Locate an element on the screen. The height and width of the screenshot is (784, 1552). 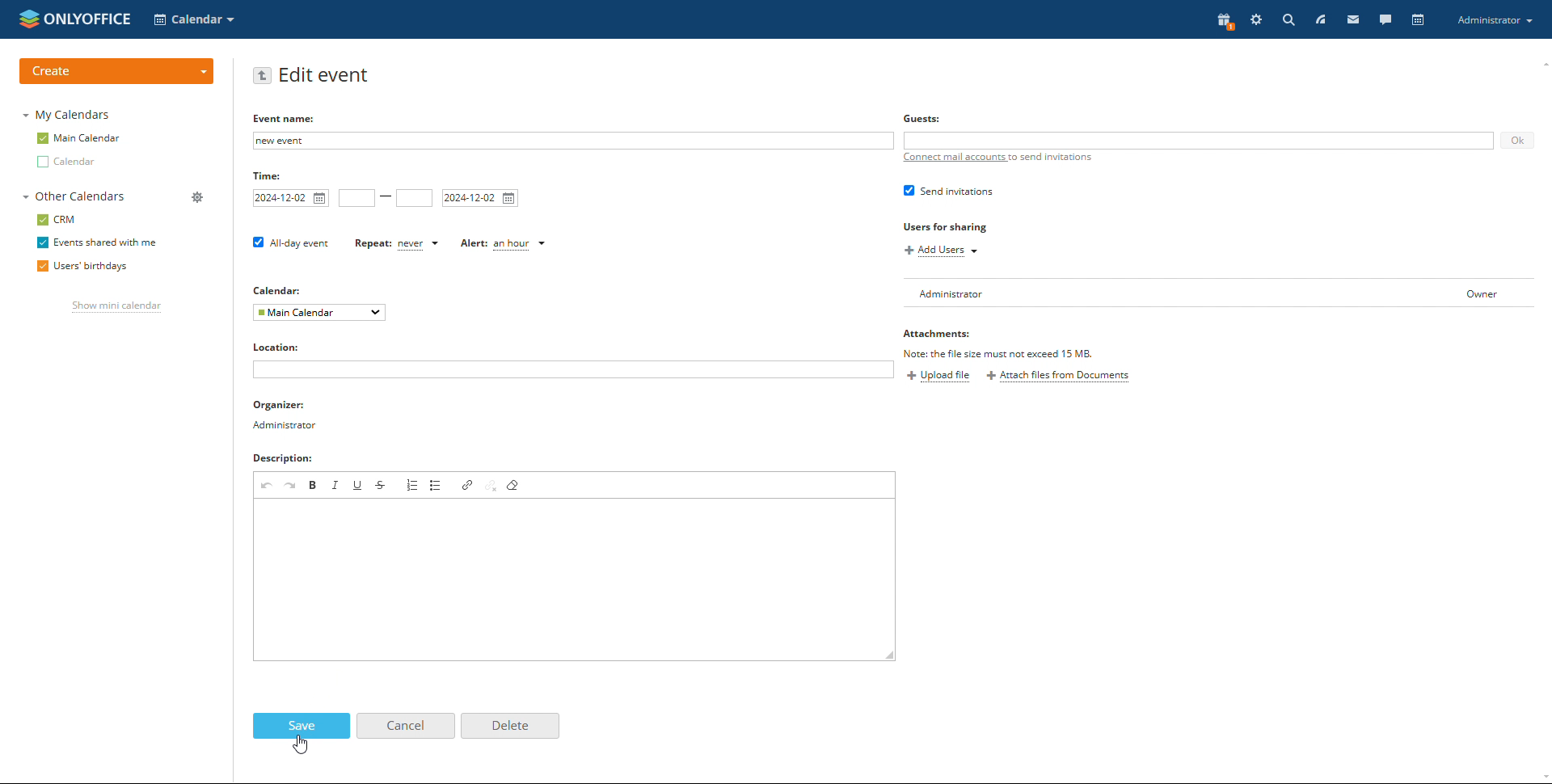
undo is located at coordinates (266, 485).